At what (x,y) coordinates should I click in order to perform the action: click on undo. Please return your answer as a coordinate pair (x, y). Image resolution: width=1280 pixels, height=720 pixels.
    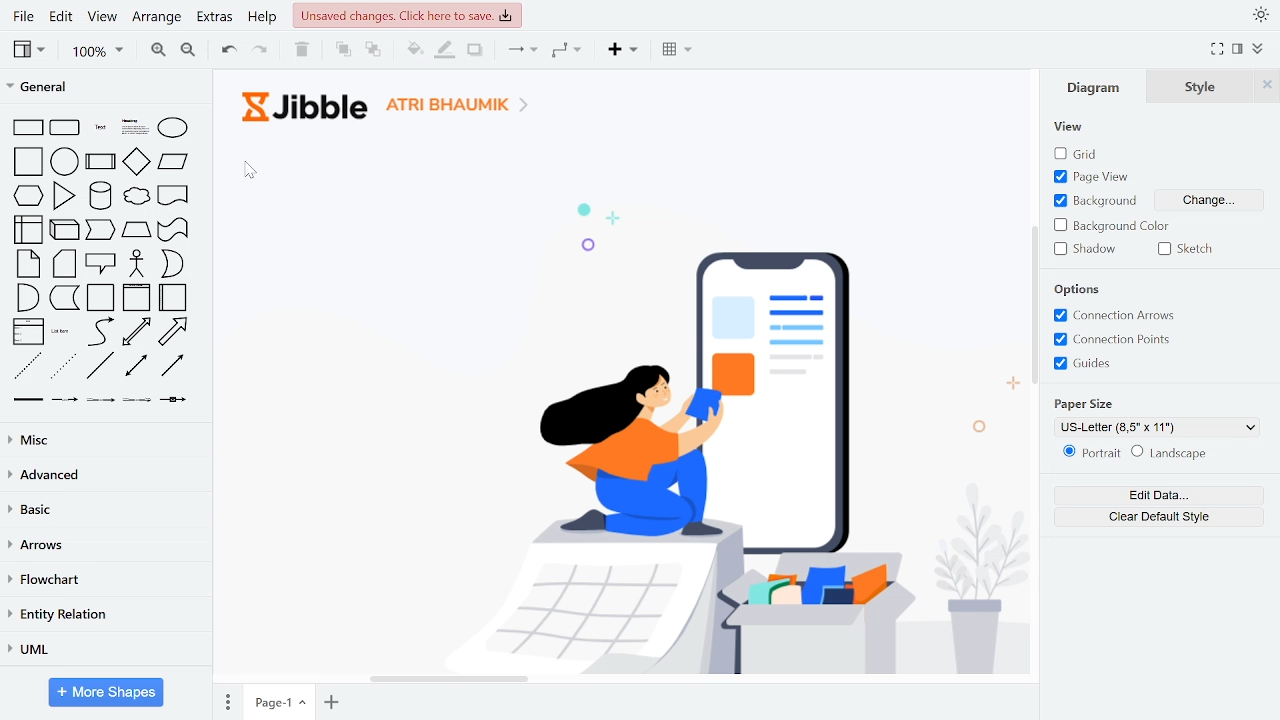
    Looking at the image, I should click on (230, 50).